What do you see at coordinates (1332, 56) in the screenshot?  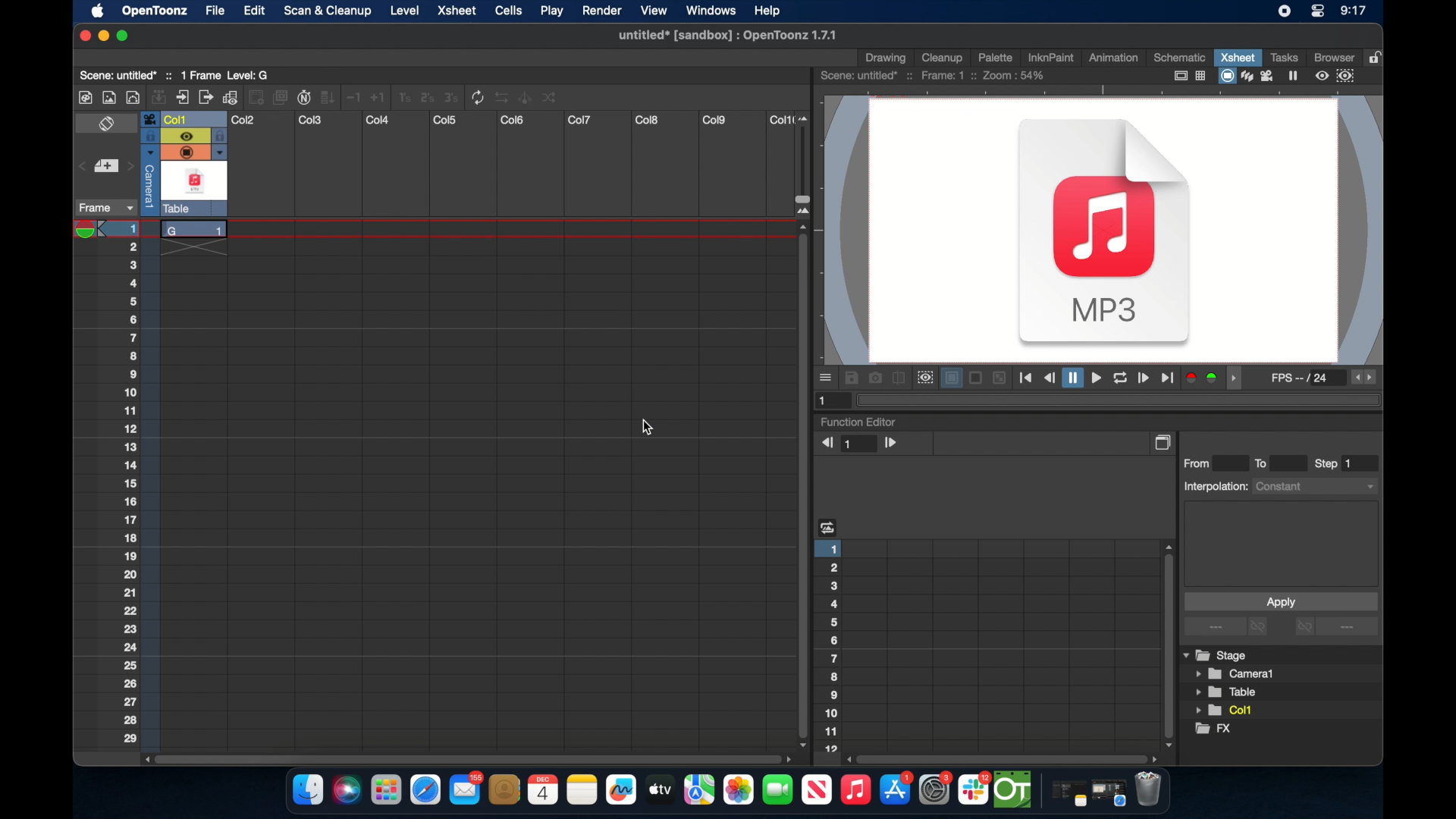 I see `browser` at bounding box center [1332, 56].